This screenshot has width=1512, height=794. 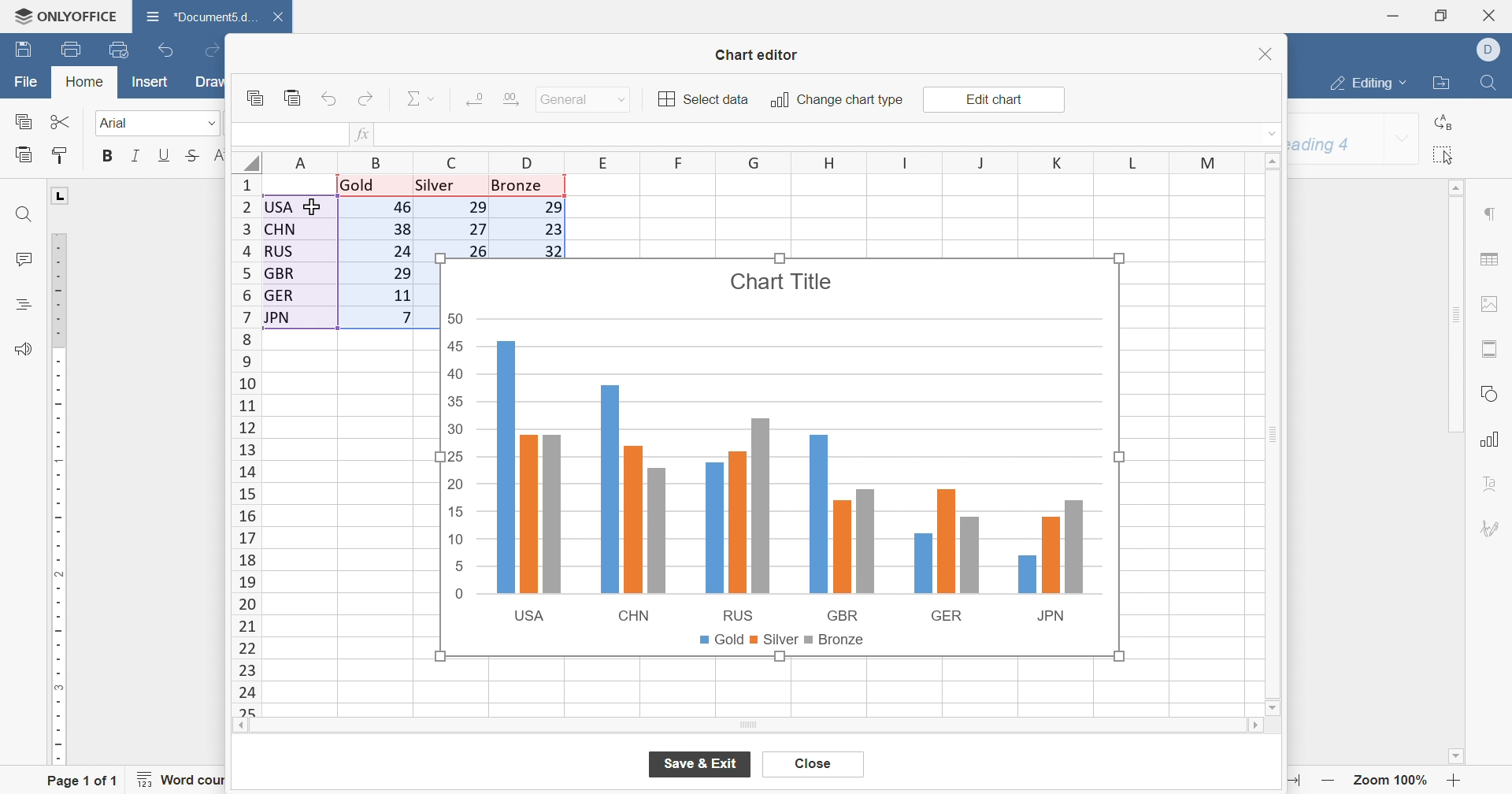 What do you see at coordinates (109, 155) in the screenshot?
I see `bold` at bounding box center [109, 155].